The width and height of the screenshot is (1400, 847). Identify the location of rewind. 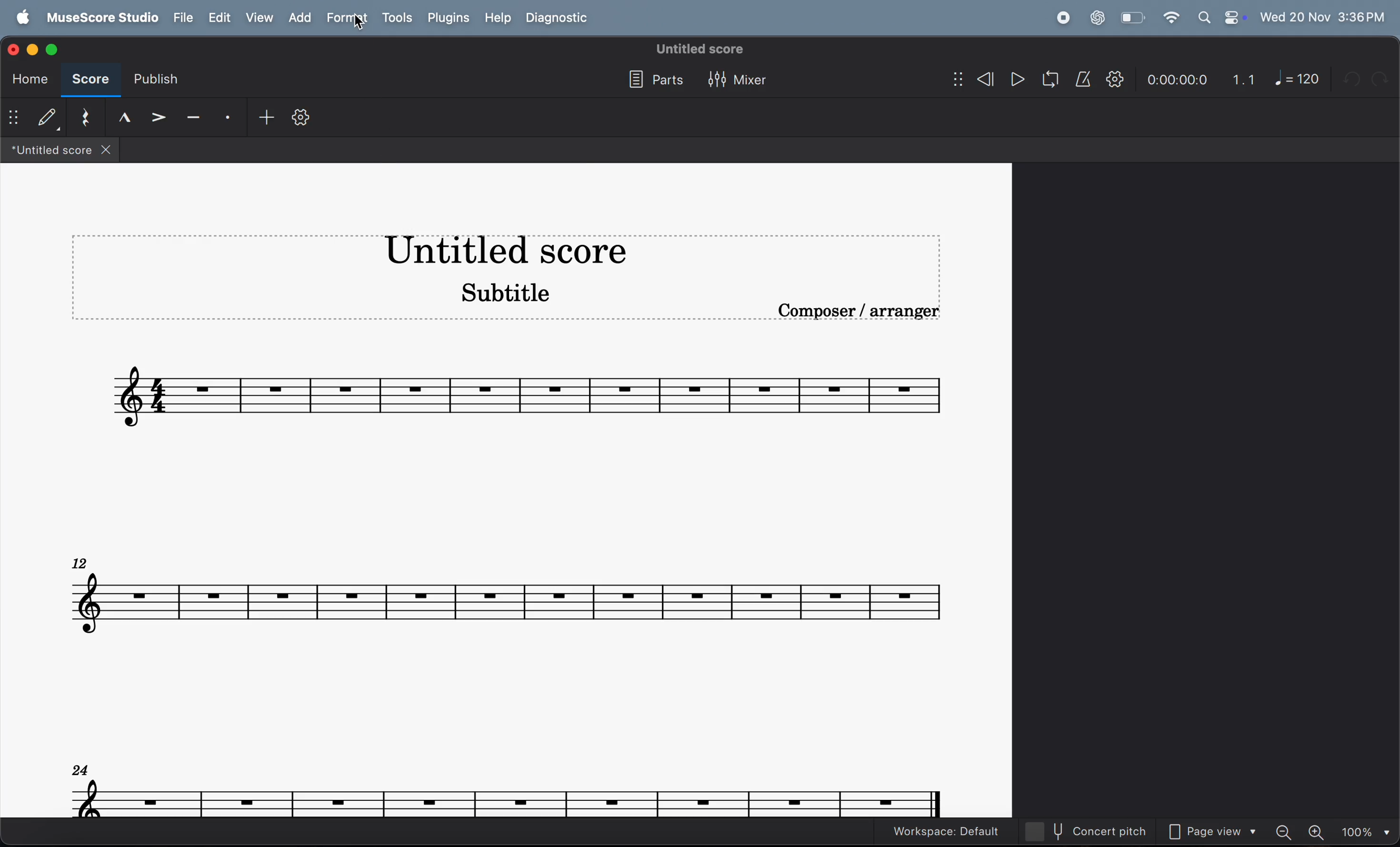
(973, 81).